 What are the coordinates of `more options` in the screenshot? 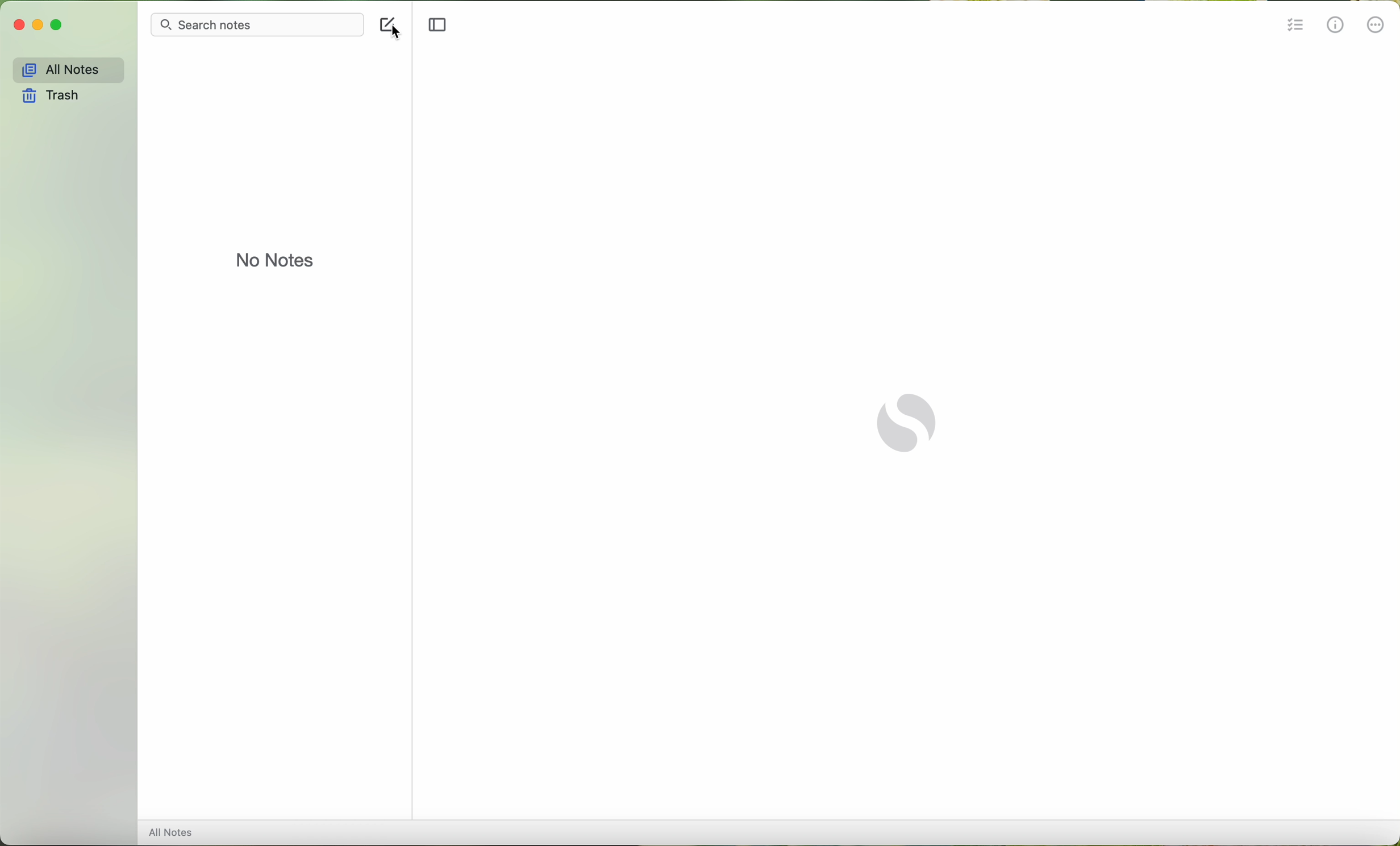 It's located at (1376, 26).